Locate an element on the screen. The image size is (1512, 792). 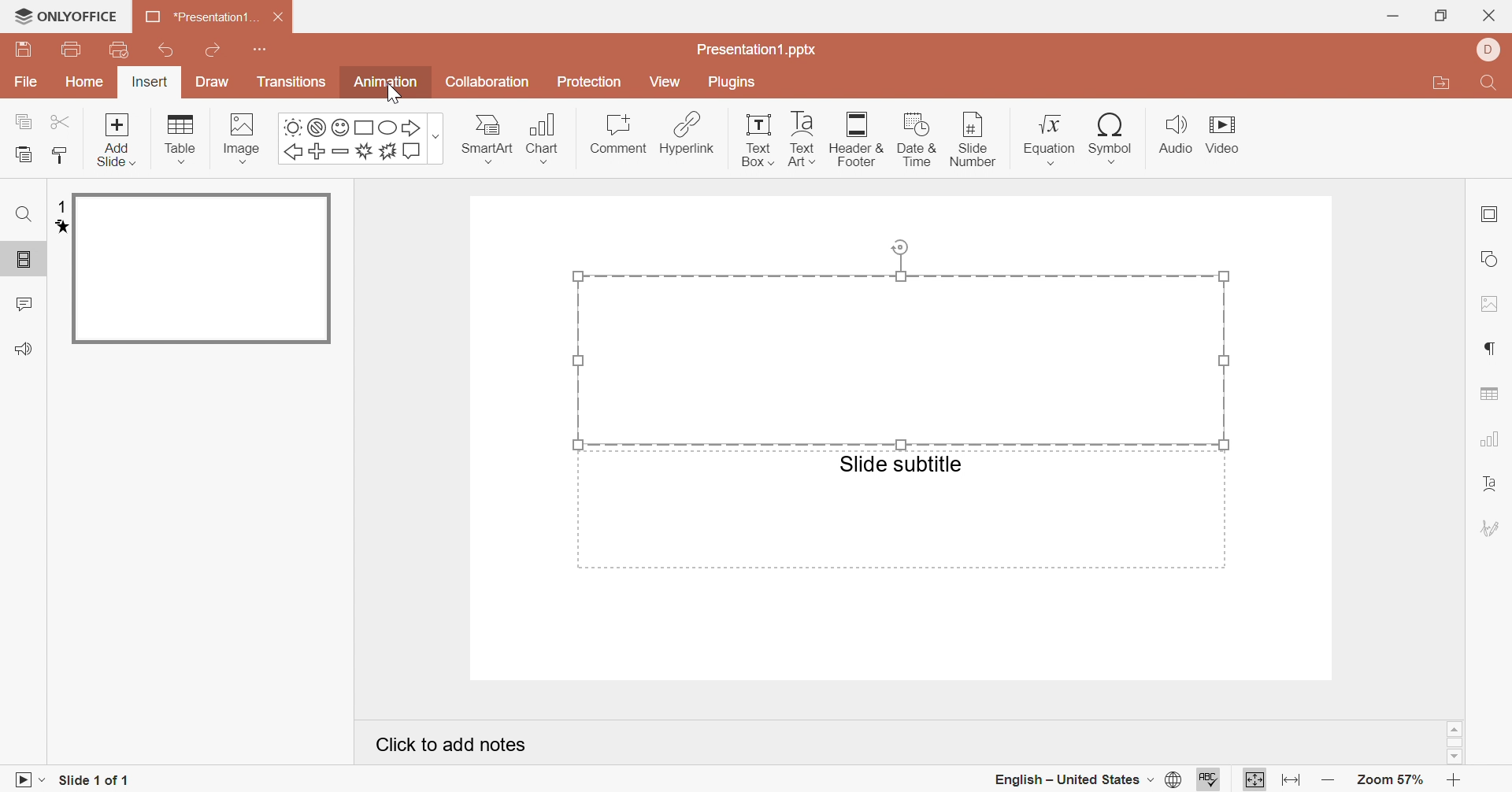
protection is located at coordinates (588, 83).